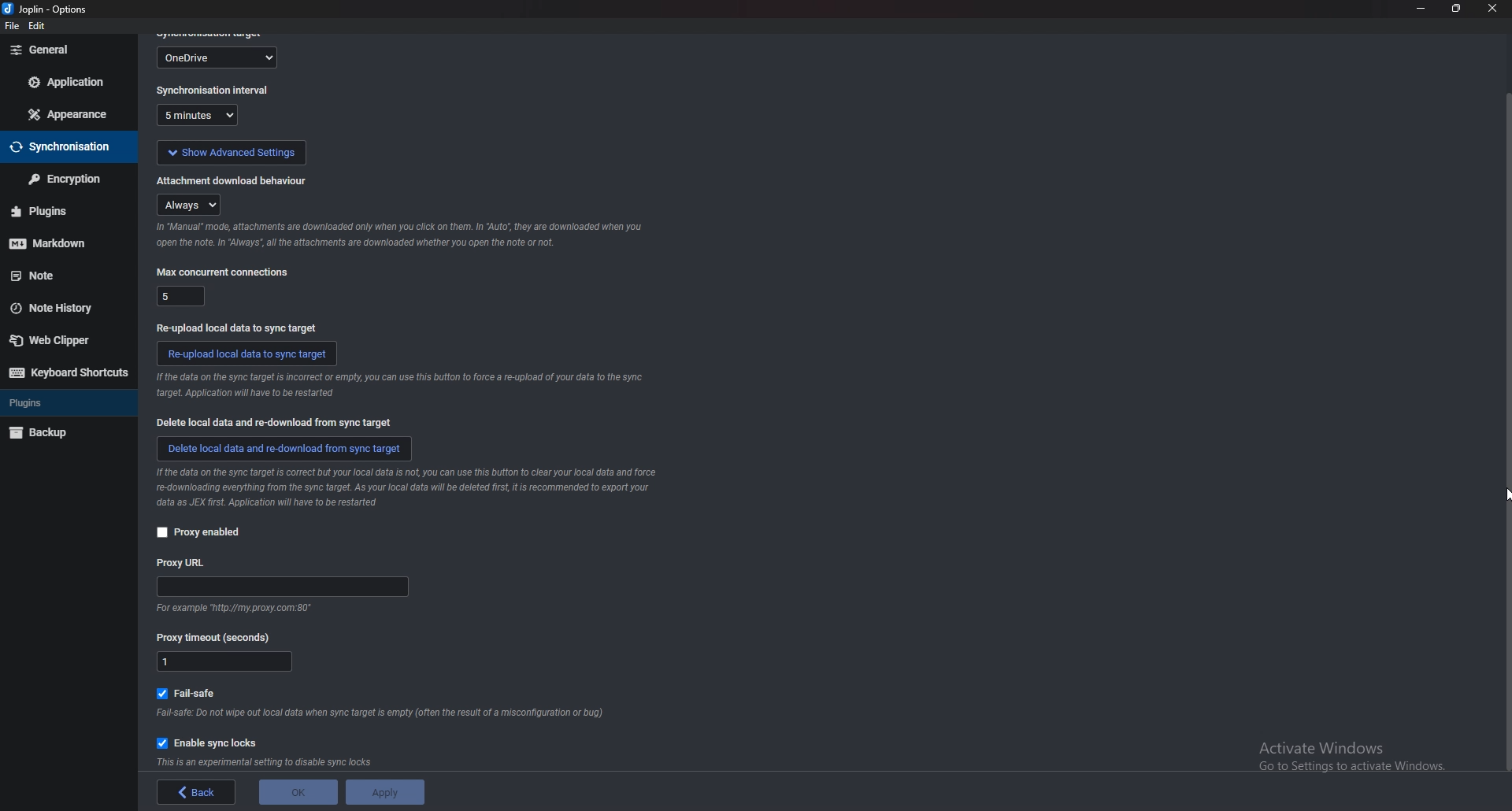 The width and height of the screenshot is (1512, 811). I want to click on appearance, so click(70, 113).